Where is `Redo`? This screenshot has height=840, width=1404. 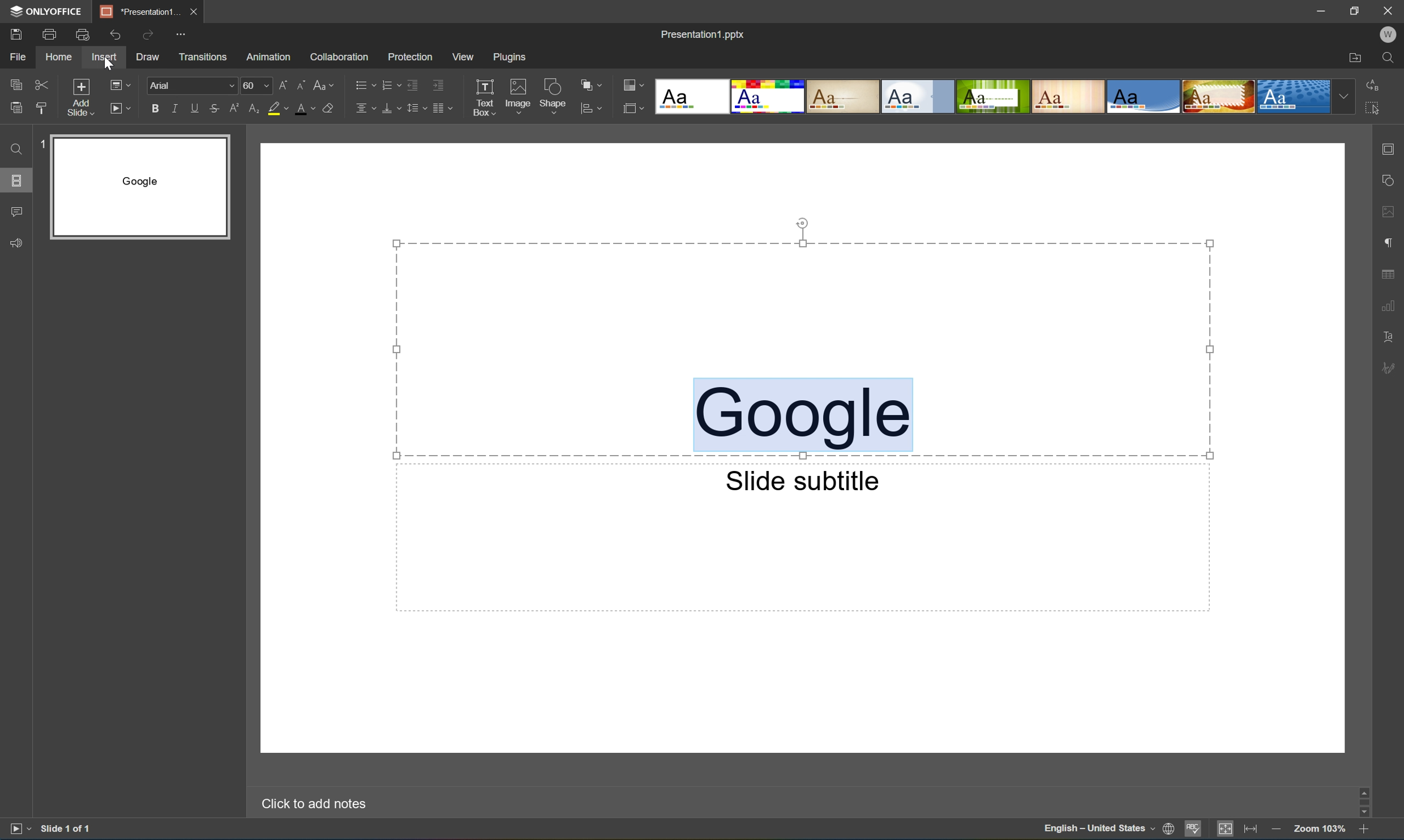 Redo is located at coordinates (148, 35).